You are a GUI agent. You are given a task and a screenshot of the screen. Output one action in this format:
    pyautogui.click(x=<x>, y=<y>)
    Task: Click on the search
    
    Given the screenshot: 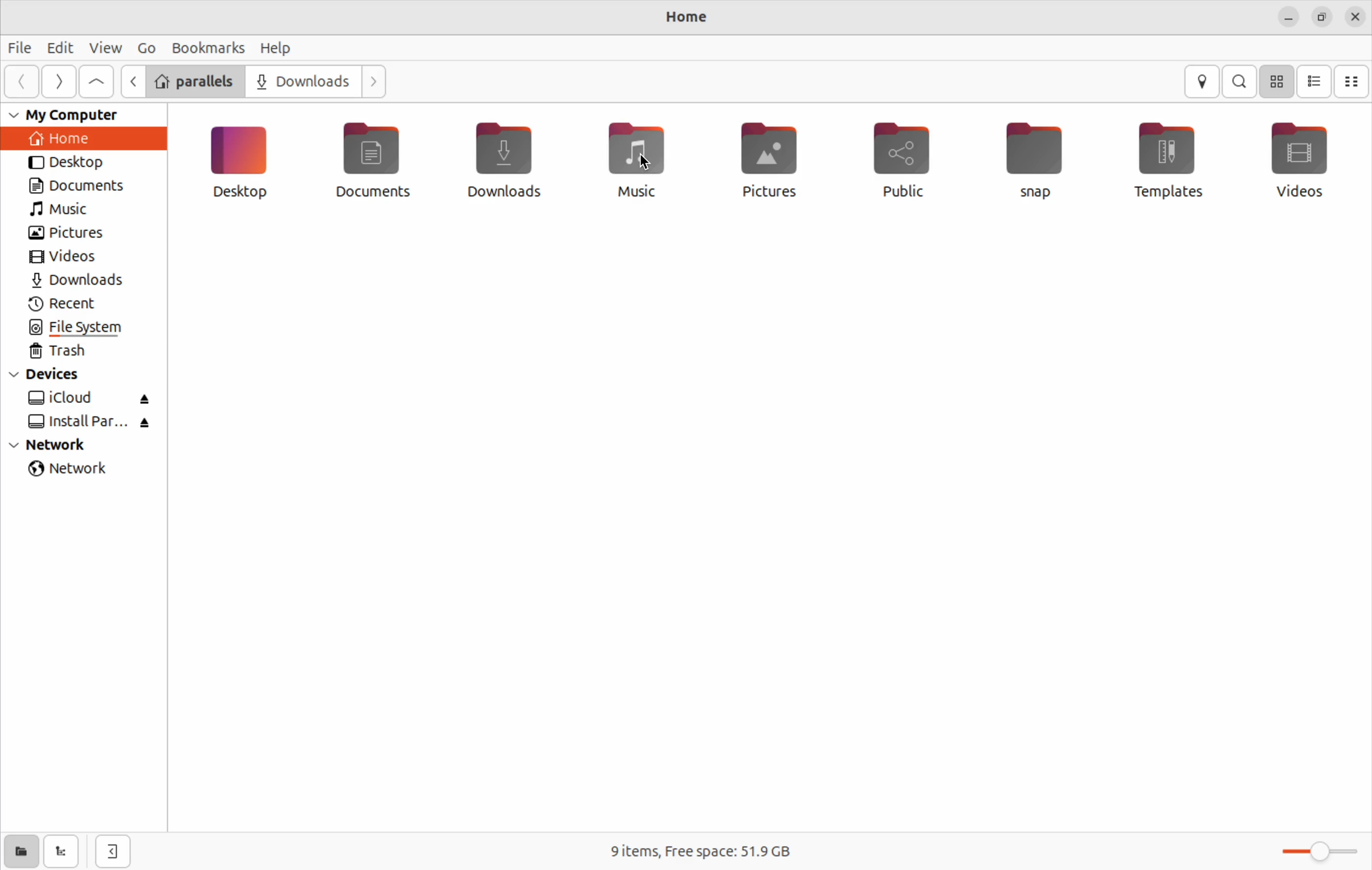 What is the action you would take?
    pyautogui.click(x=1239, y=82)
    